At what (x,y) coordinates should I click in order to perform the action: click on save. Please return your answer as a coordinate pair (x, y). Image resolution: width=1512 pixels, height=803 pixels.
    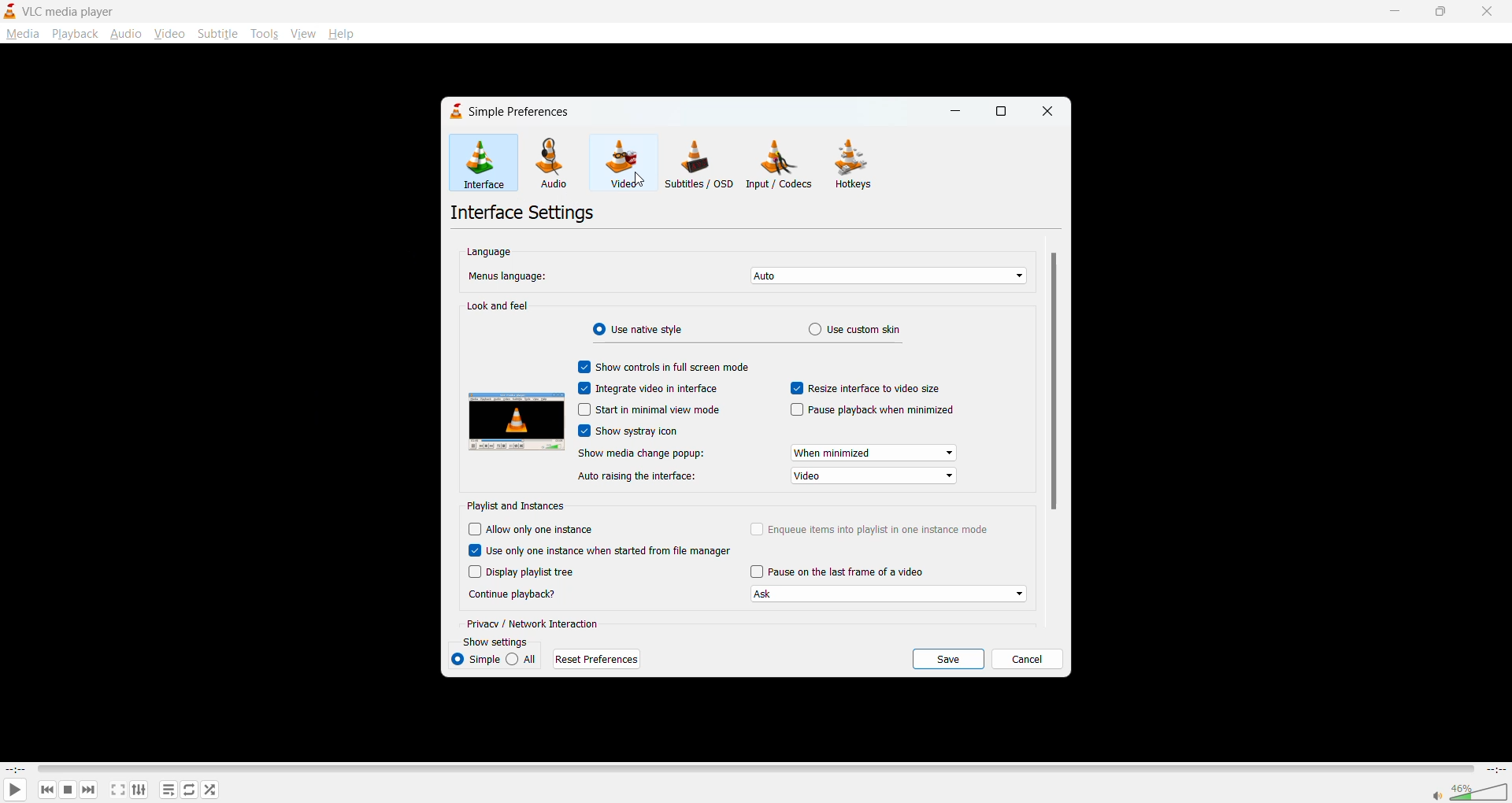
    Looking at the image, I should click on (948, 658).